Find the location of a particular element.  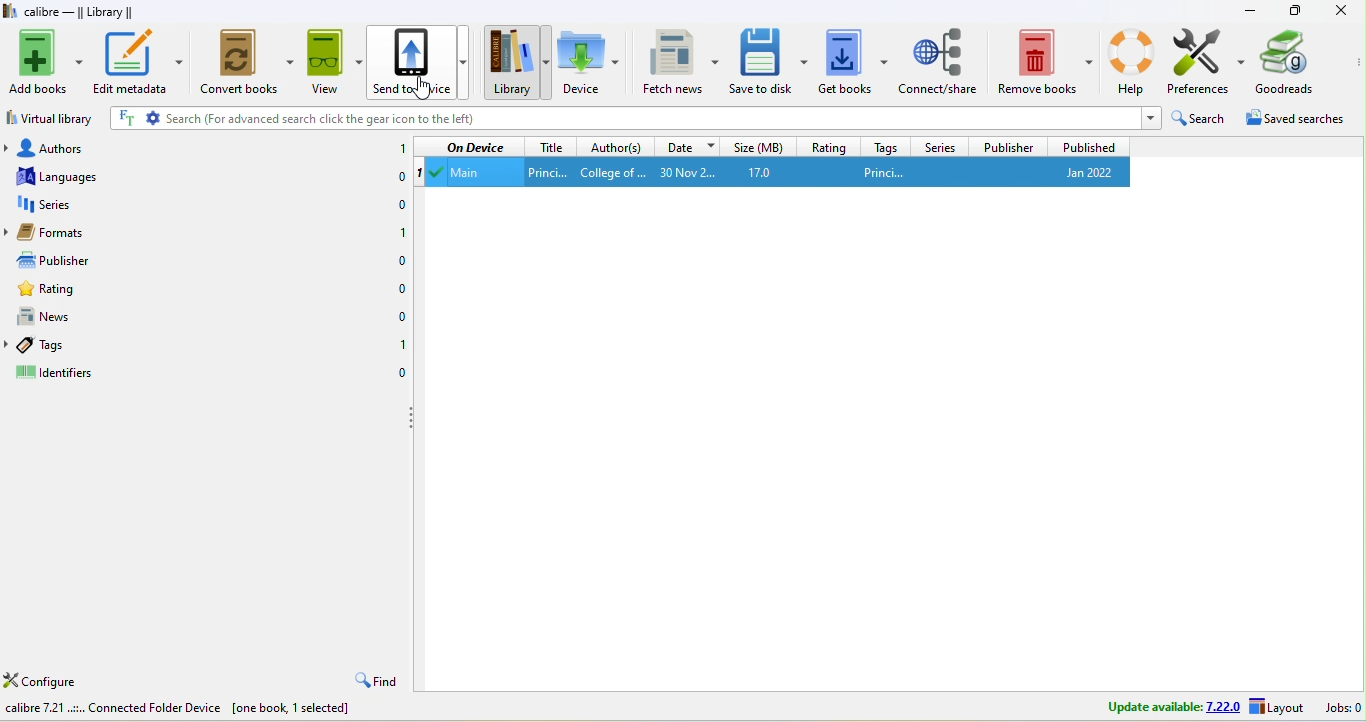

date is located at coordinates (692, 147).